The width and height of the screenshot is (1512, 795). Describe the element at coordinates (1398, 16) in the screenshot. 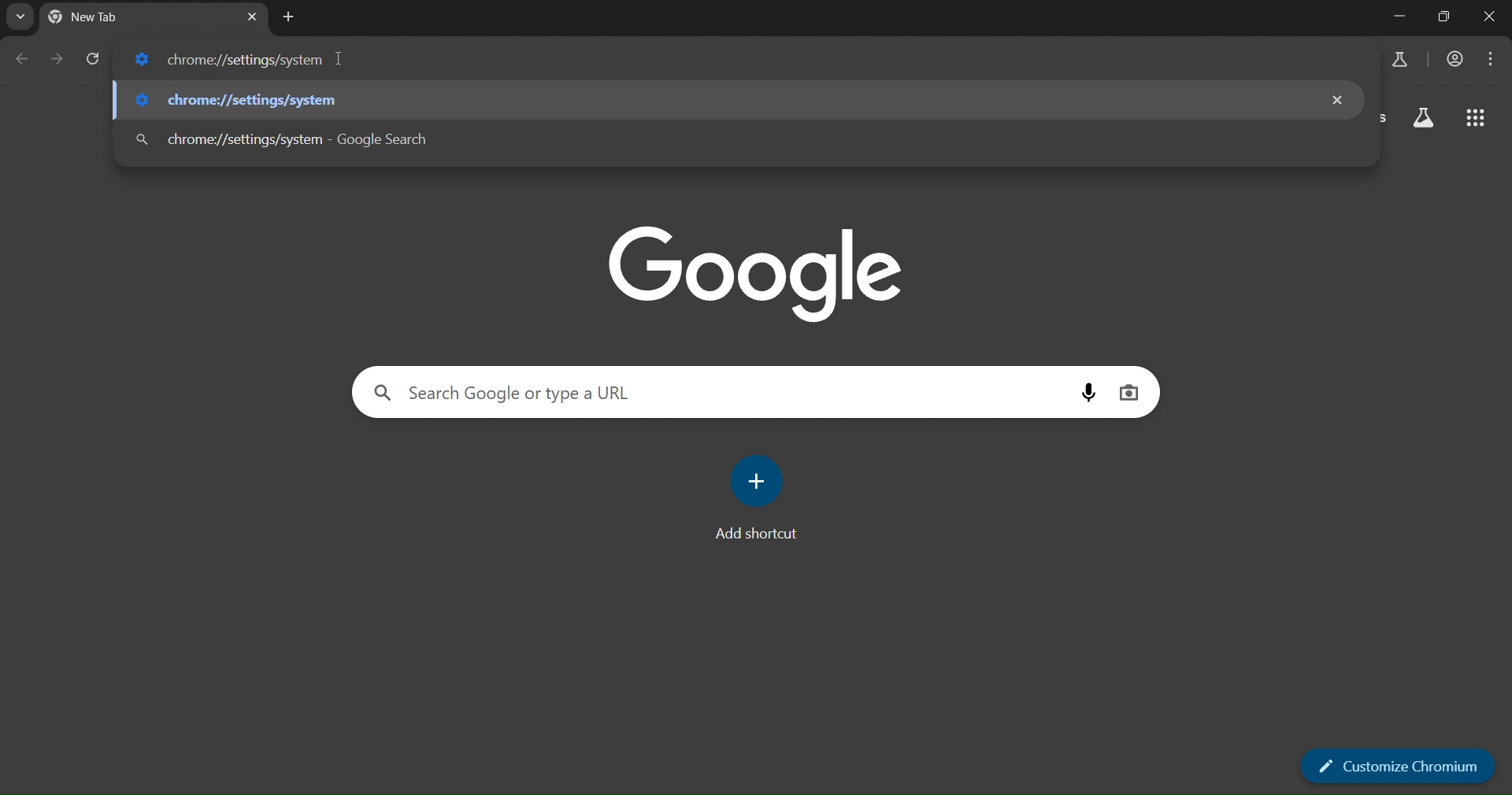

I see `Minimize` at that location.